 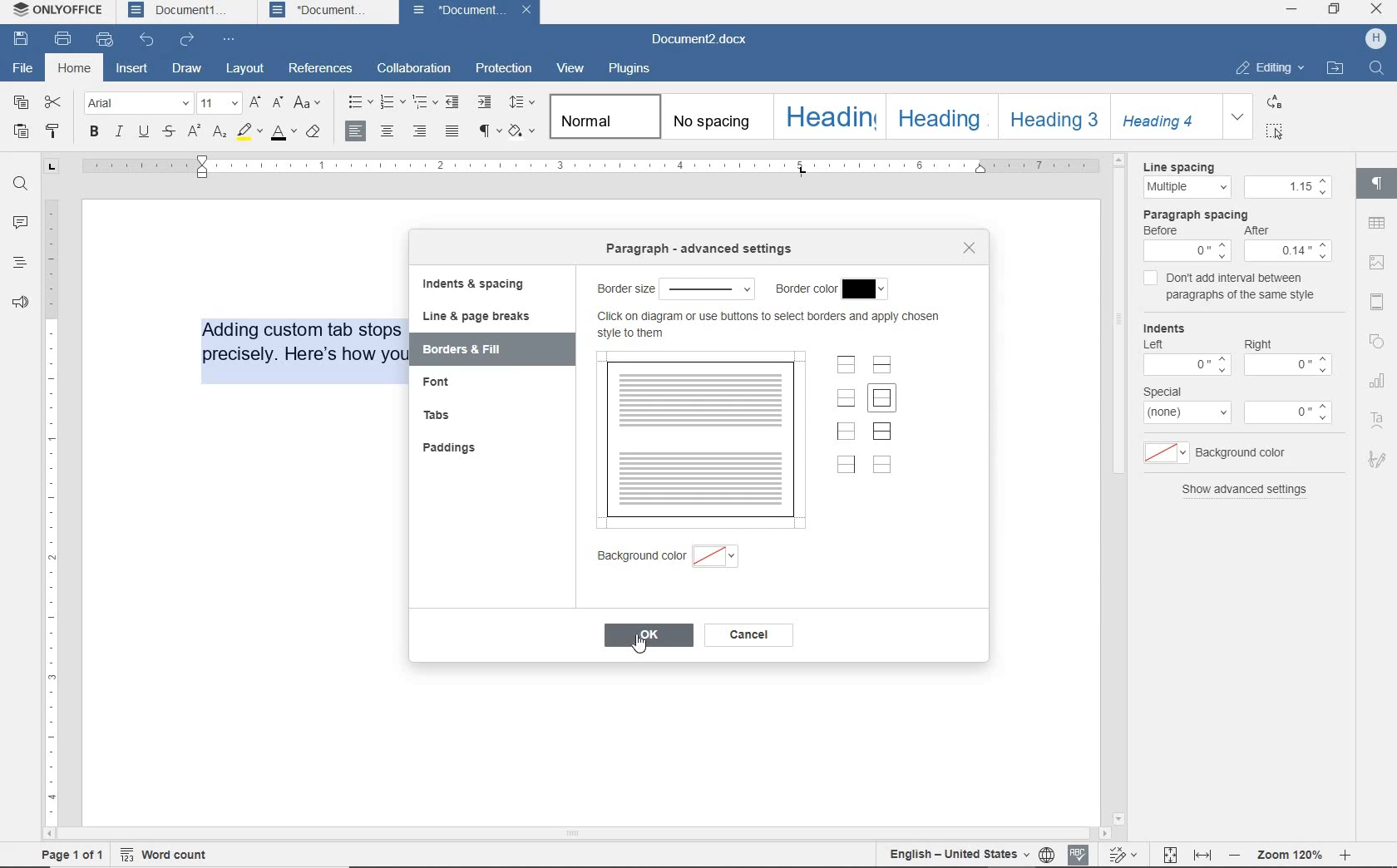 I want to click on font color, so click(x=284, y=133).